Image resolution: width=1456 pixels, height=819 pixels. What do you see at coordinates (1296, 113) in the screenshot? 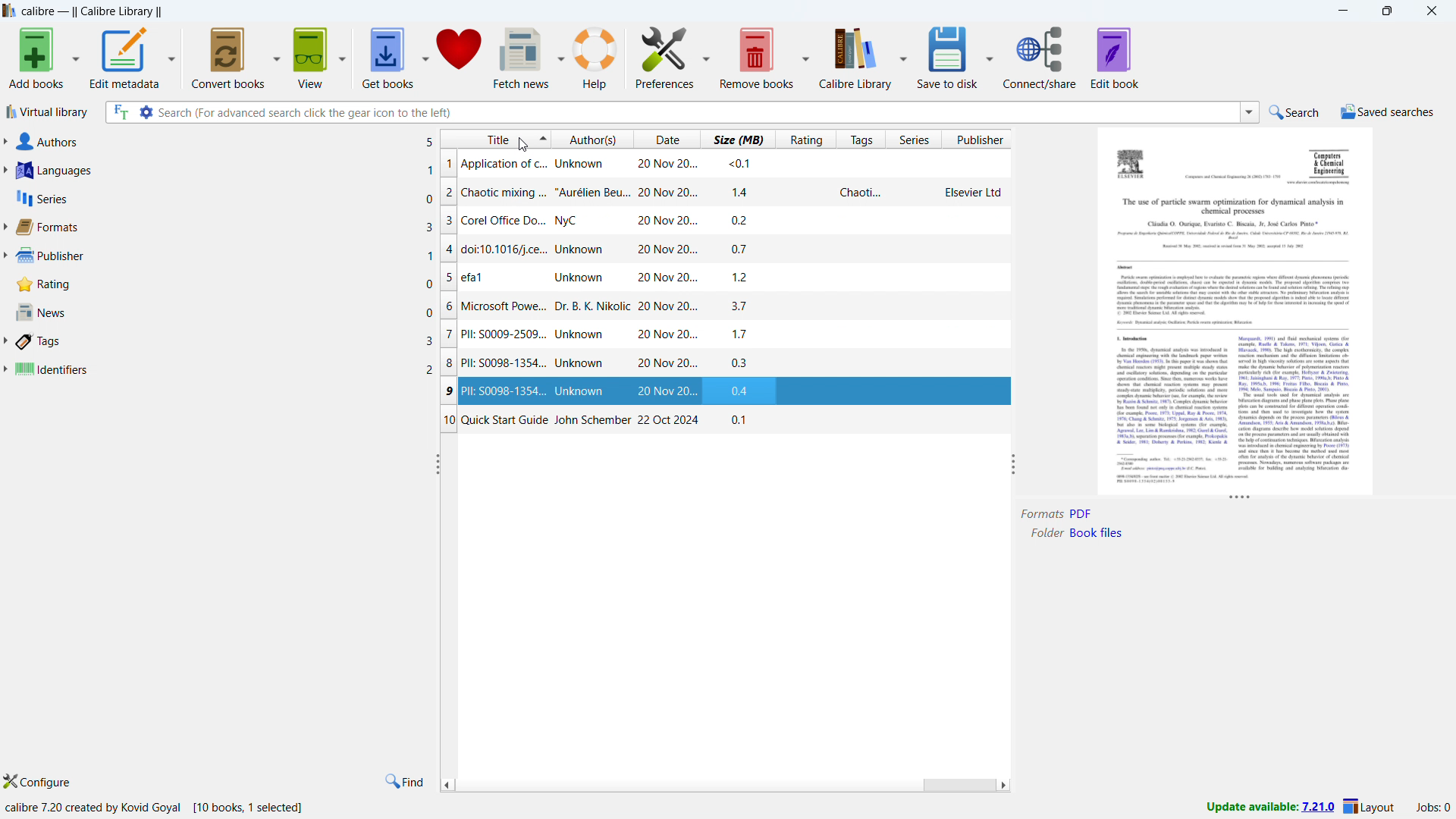
I see `do quick search` at bounding box center [1296, 113].